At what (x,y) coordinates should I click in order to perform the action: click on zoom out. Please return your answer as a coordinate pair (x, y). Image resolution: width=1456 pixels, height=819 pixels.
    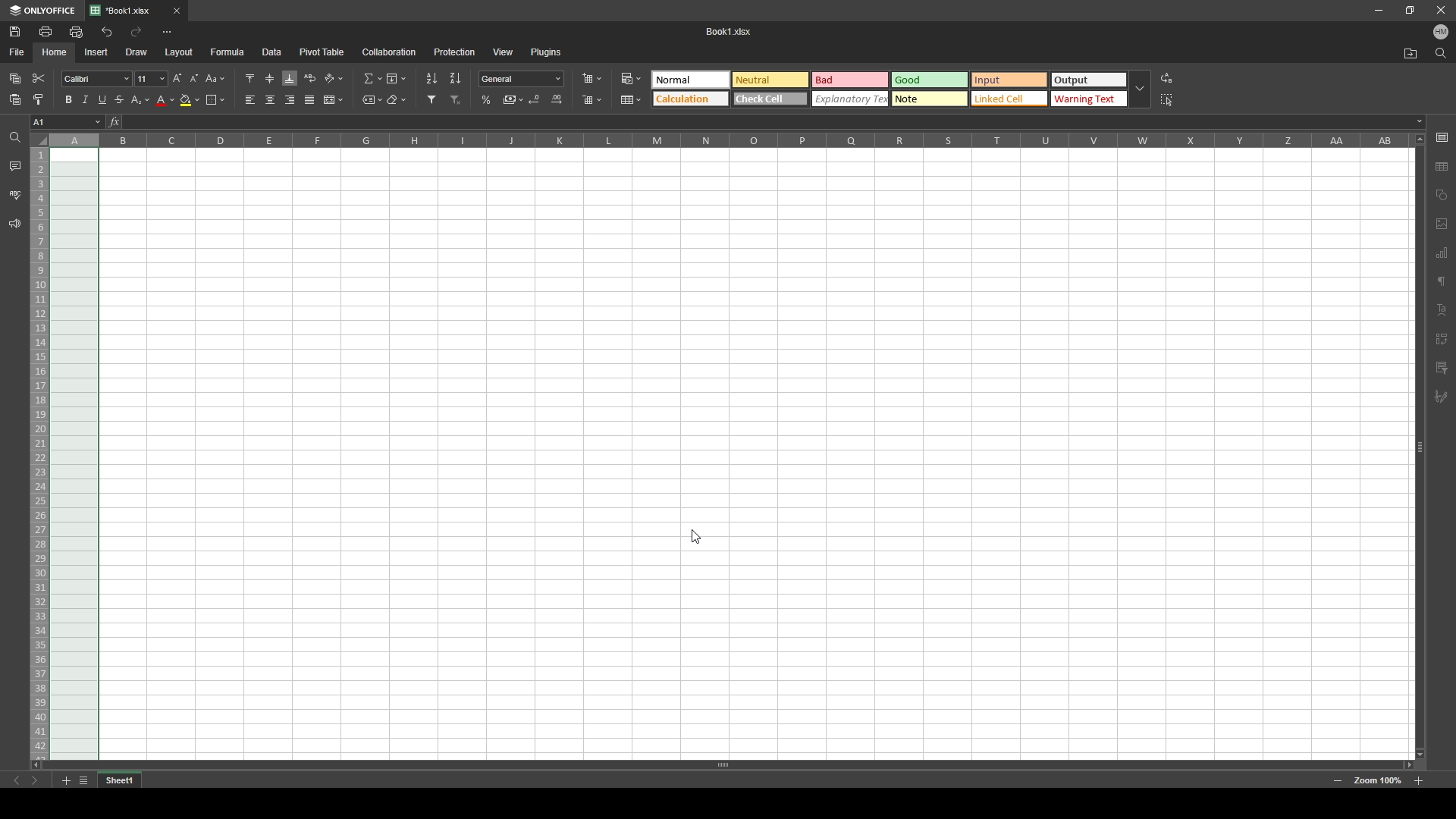
    Looking at the image, I should click on (1338, 782).